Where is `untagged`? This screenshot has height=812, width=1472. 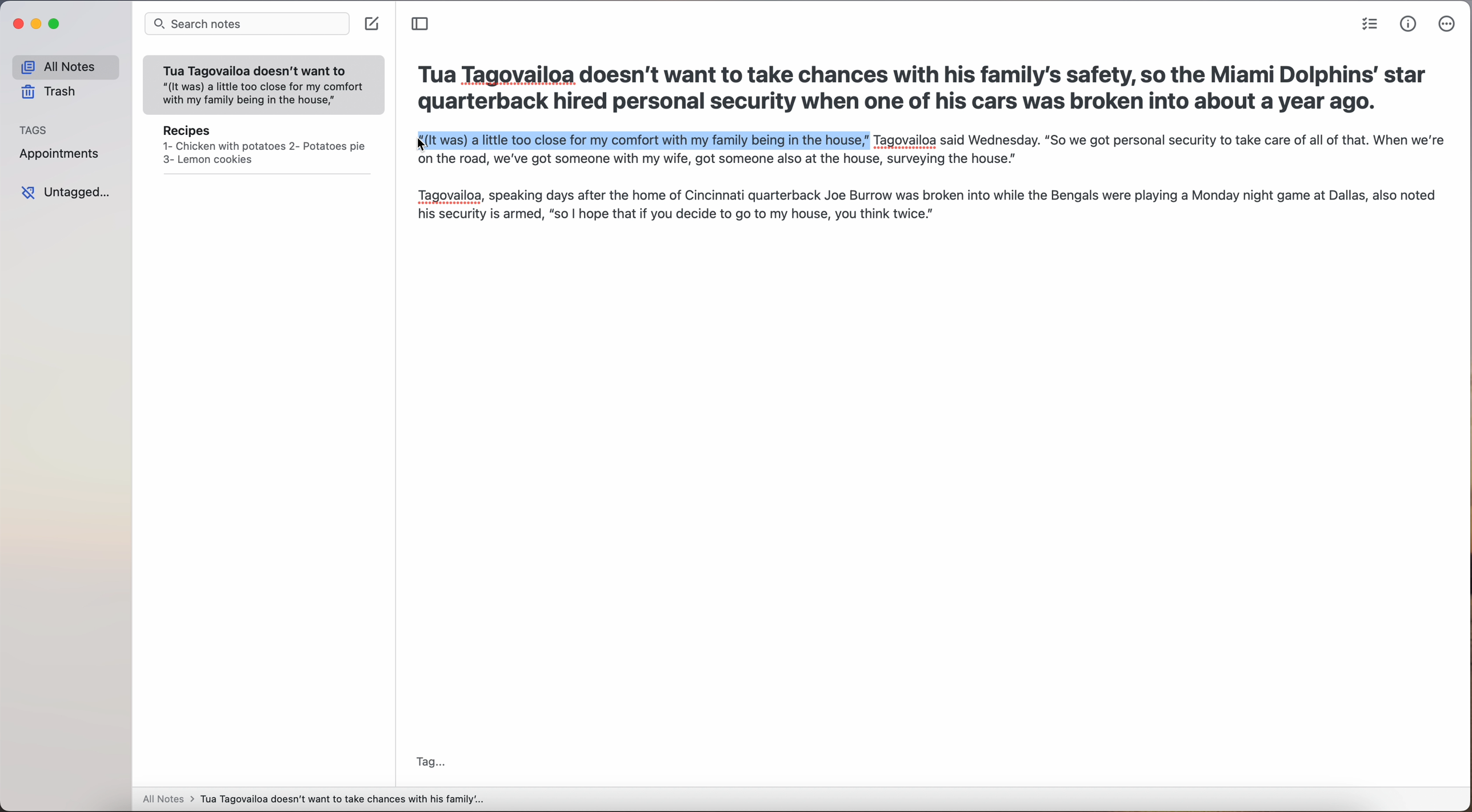 untagged is located at coordinates (65, 193).